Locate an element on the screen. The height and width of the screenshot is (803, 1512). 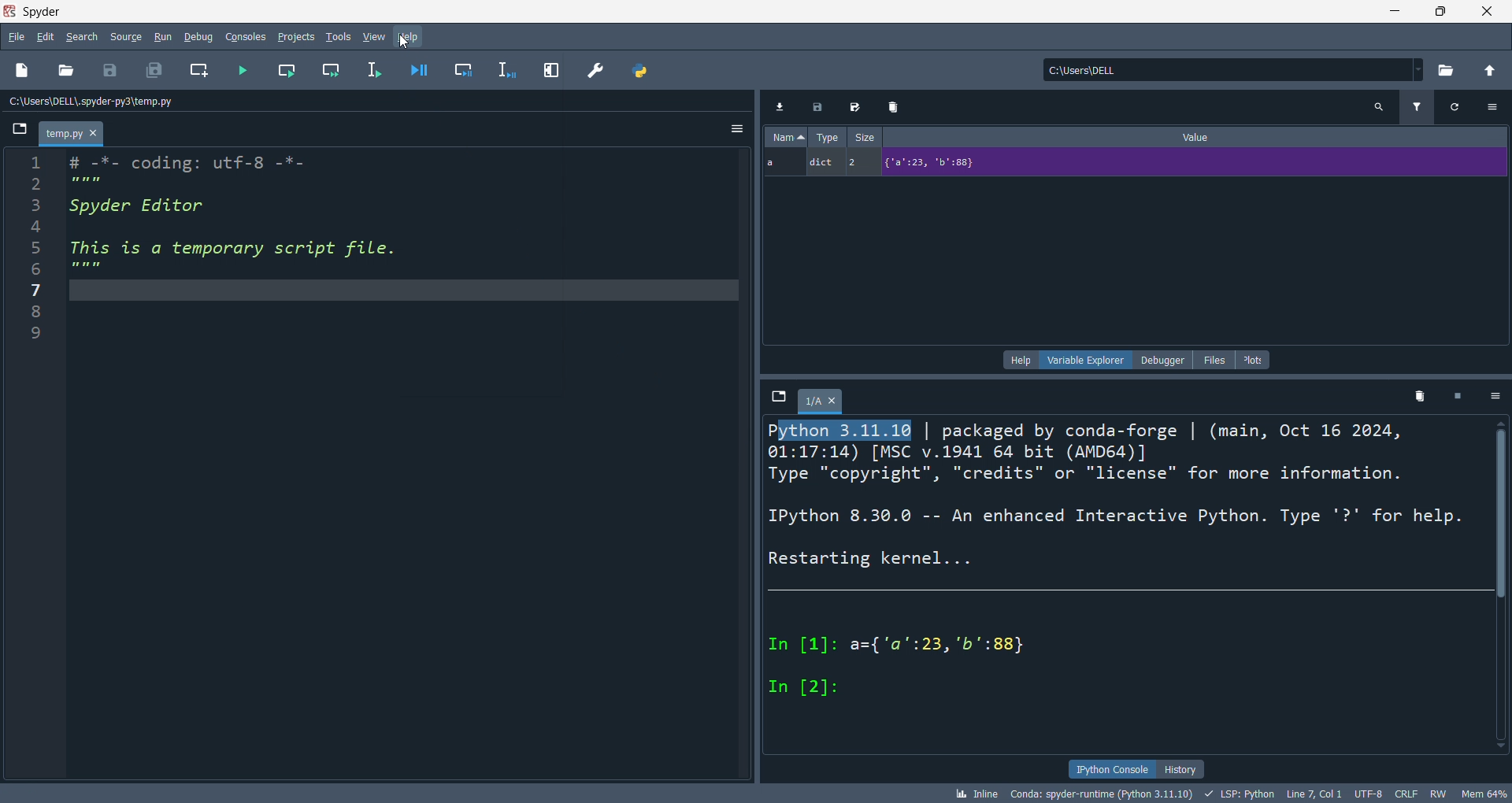
Hemberger settings is located at coordinates (737, 128).